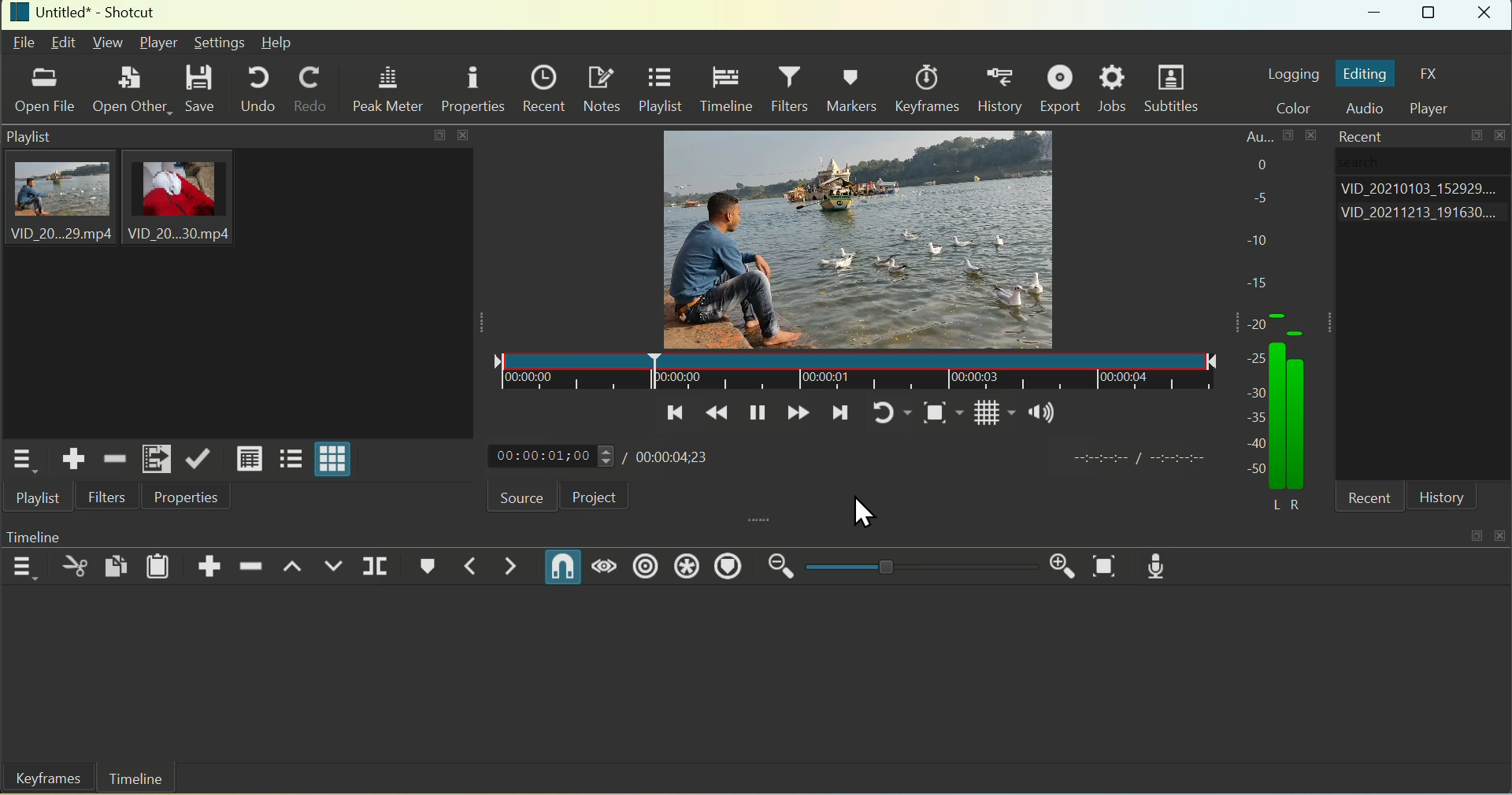  I want to click on Next Markeer, so click(513, 567).